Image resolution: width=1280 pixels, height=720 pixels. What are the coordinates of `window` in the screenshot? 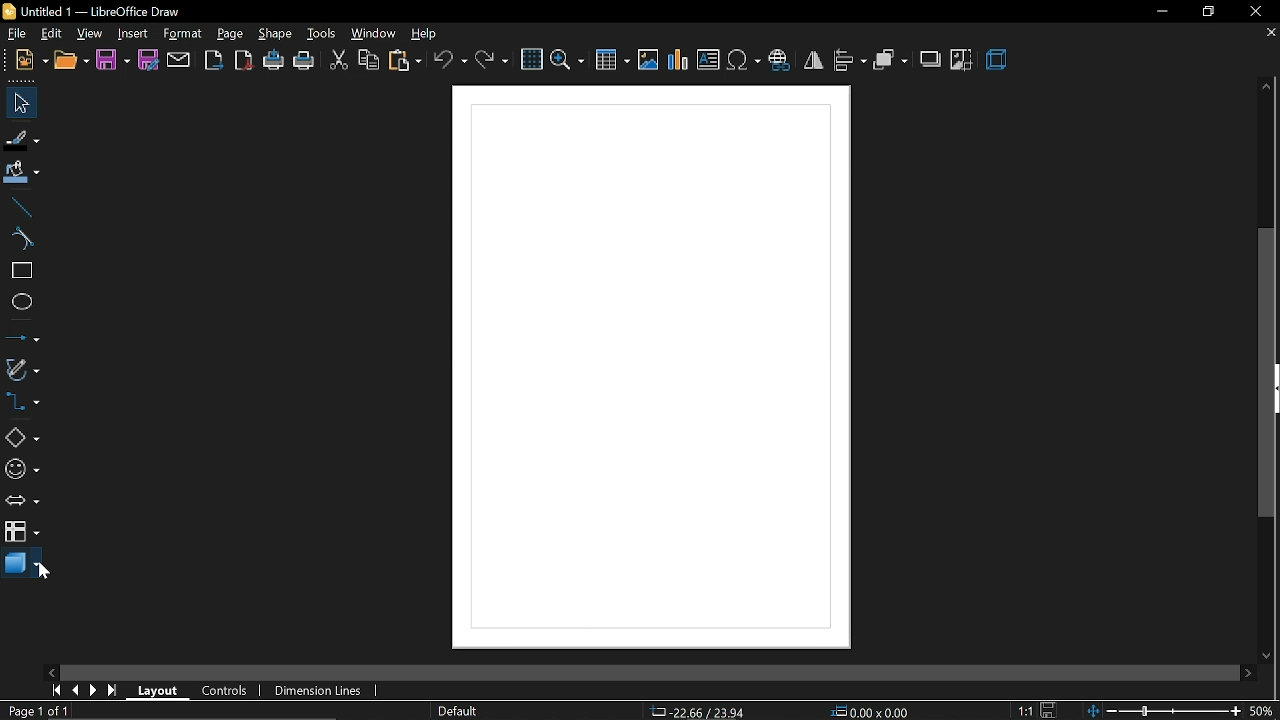 It's located at (374, 35).